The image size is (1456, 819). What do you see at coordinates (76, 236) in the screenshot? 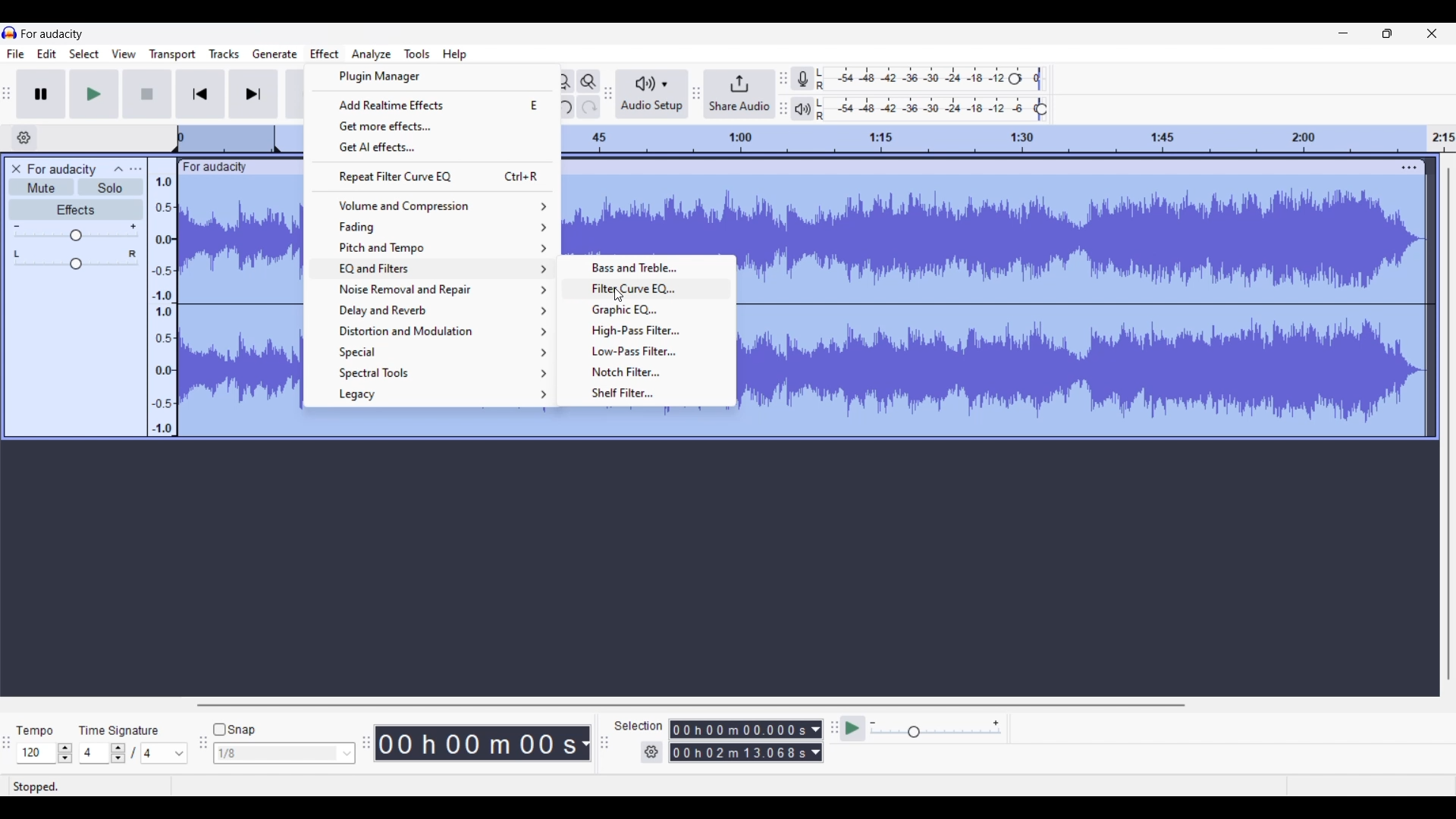
I see `Change gain` at bounding box center [76, 236].